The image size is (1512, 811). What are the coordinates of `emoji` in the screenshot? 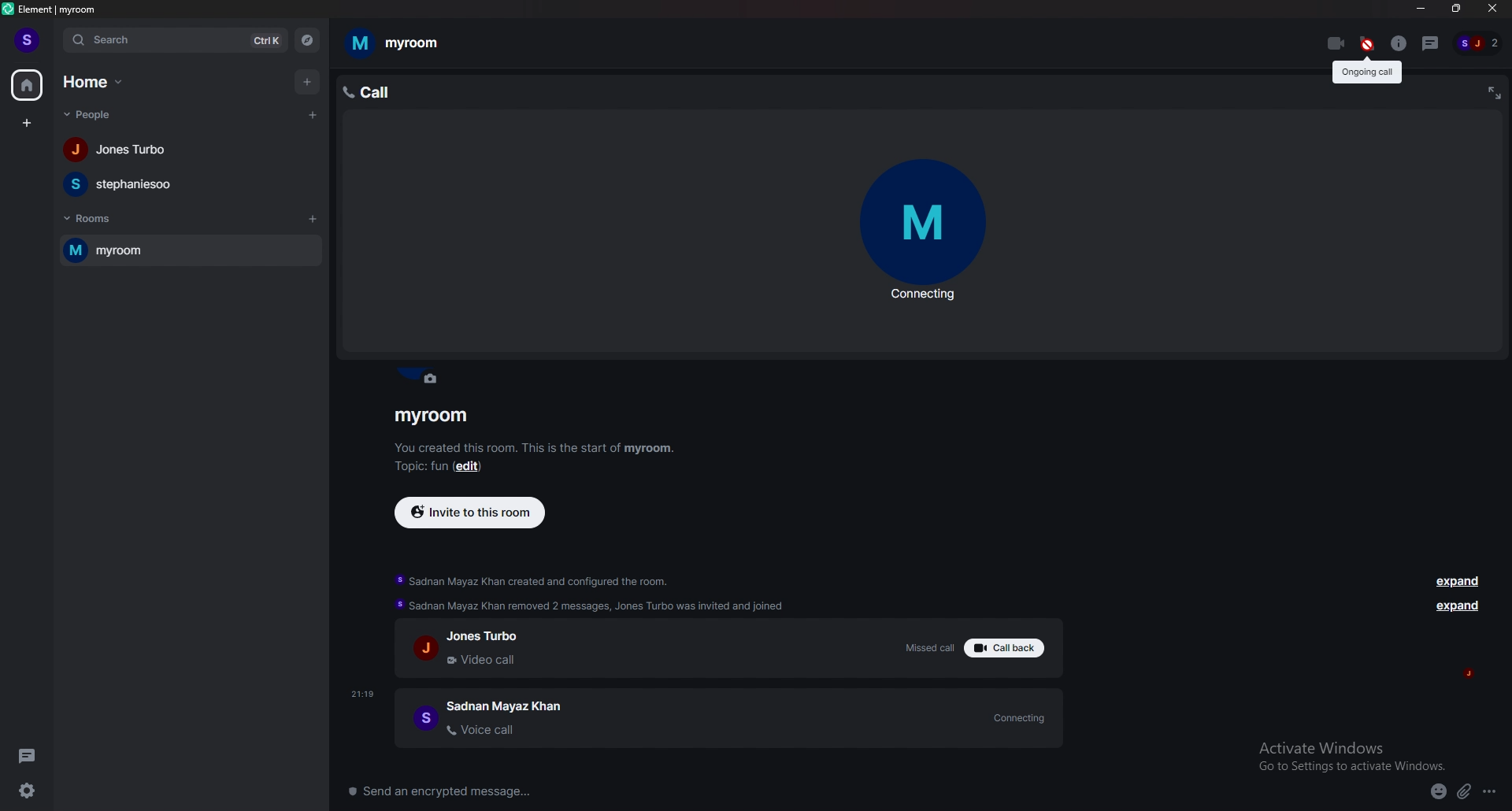 It's located at (1437, 791).